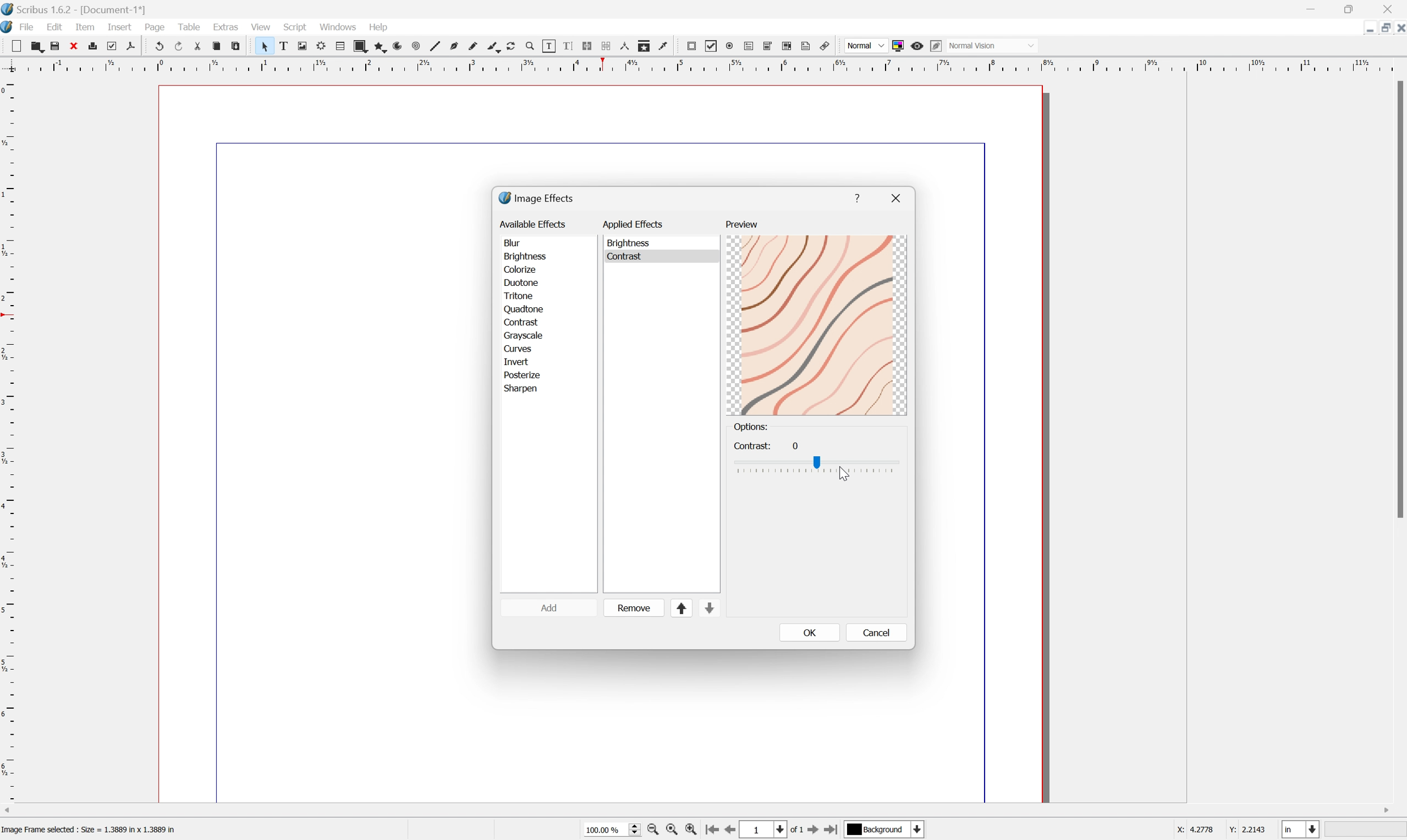 The height and width of the screenshot is (840, 1407). I want to click on Preflight verifier, so click(113, 45).